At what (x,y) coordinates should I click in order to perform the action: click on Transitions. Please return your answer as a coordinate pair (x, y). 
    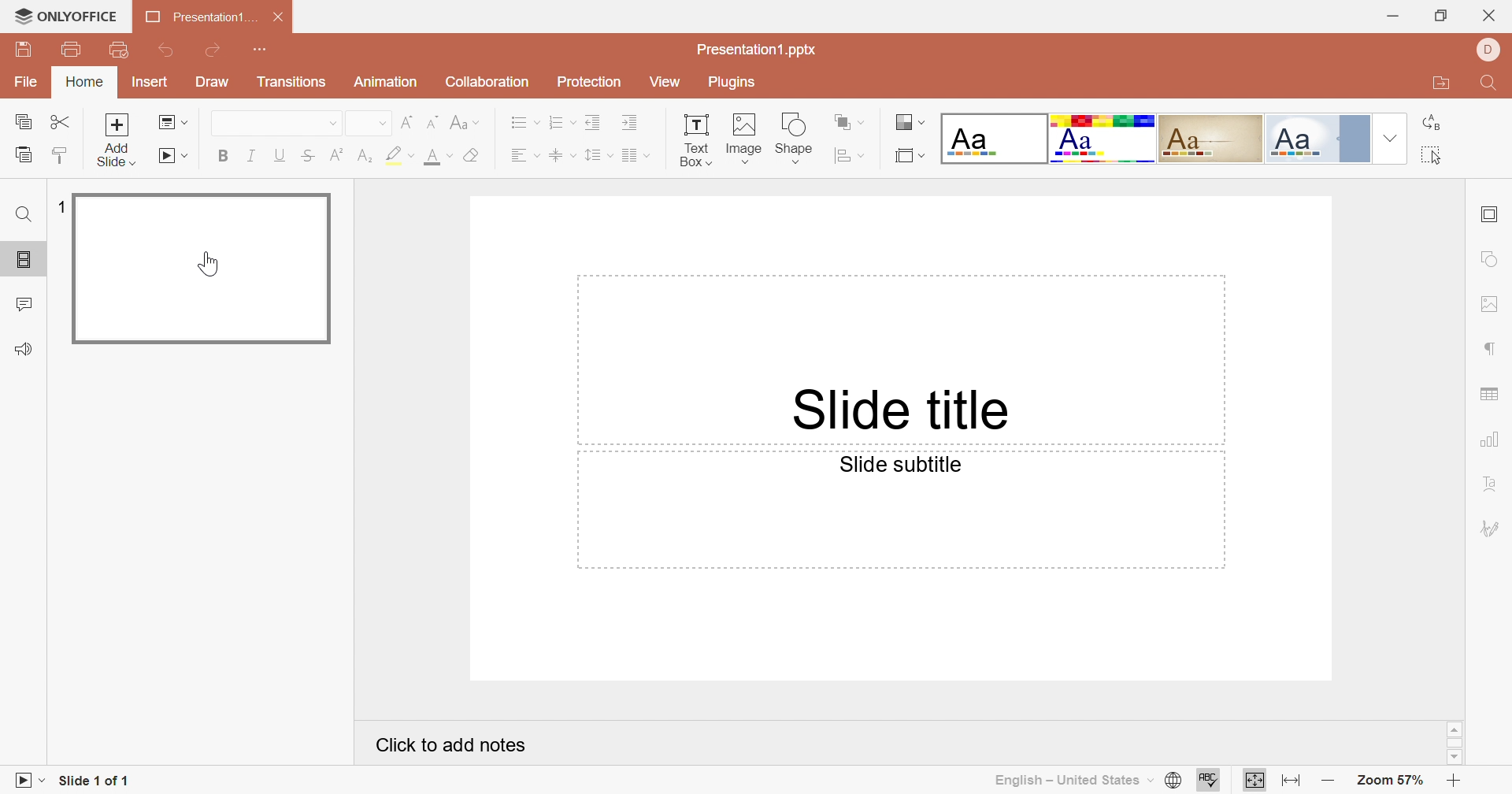
    Looking at the image, I should click on (294, 82).